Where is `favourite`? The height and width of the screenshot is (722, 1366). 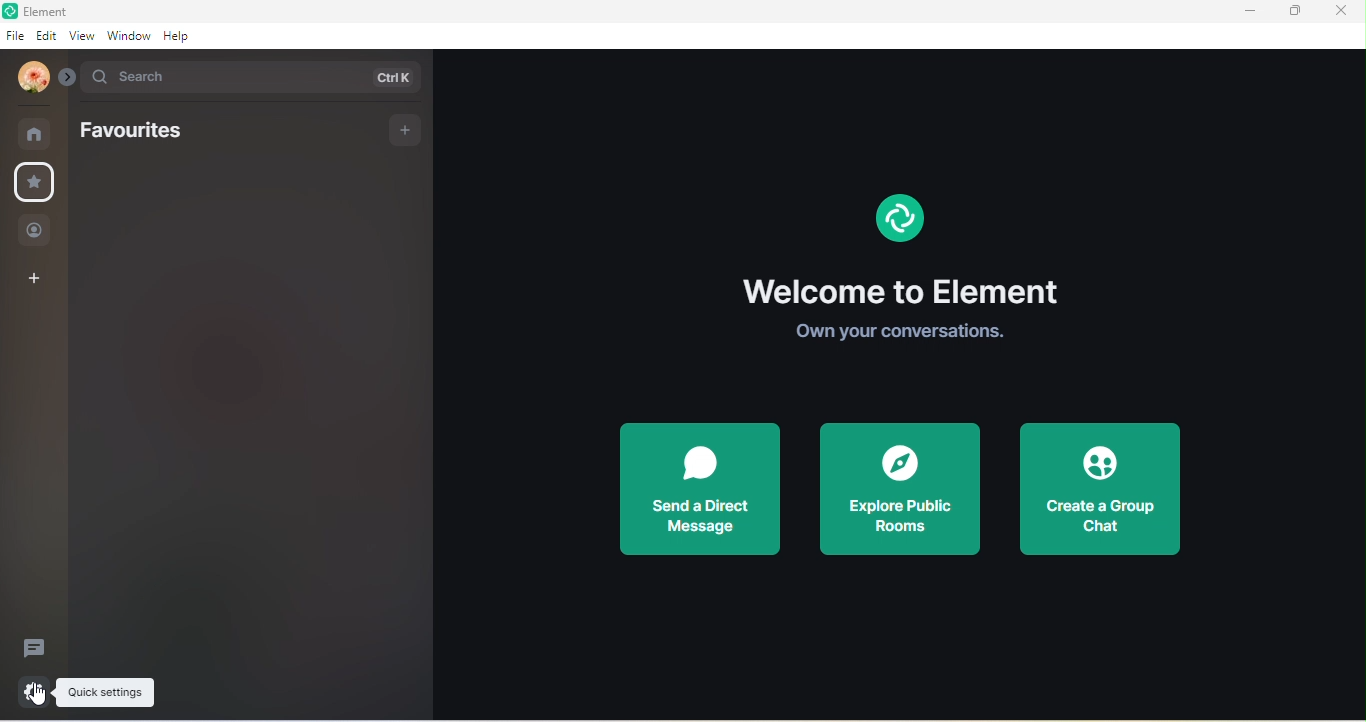 favourite is located at coordinates (36, 183).